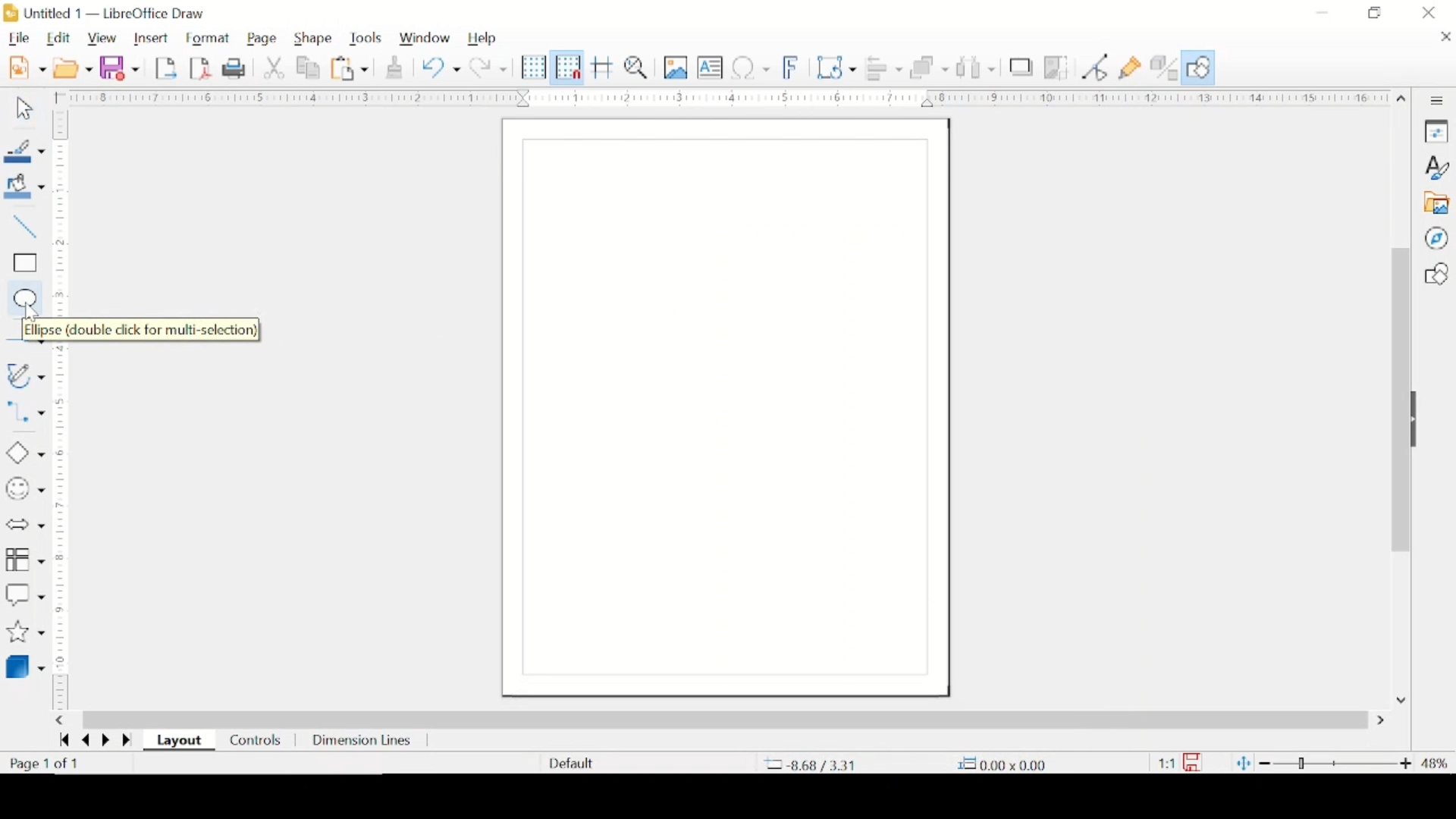 The height and width of the screenshot is (819, 1456). Describe the element at coordinates (108, 13) in the screenshot. I see `untitled 1 - libreoffice draw` at that location.